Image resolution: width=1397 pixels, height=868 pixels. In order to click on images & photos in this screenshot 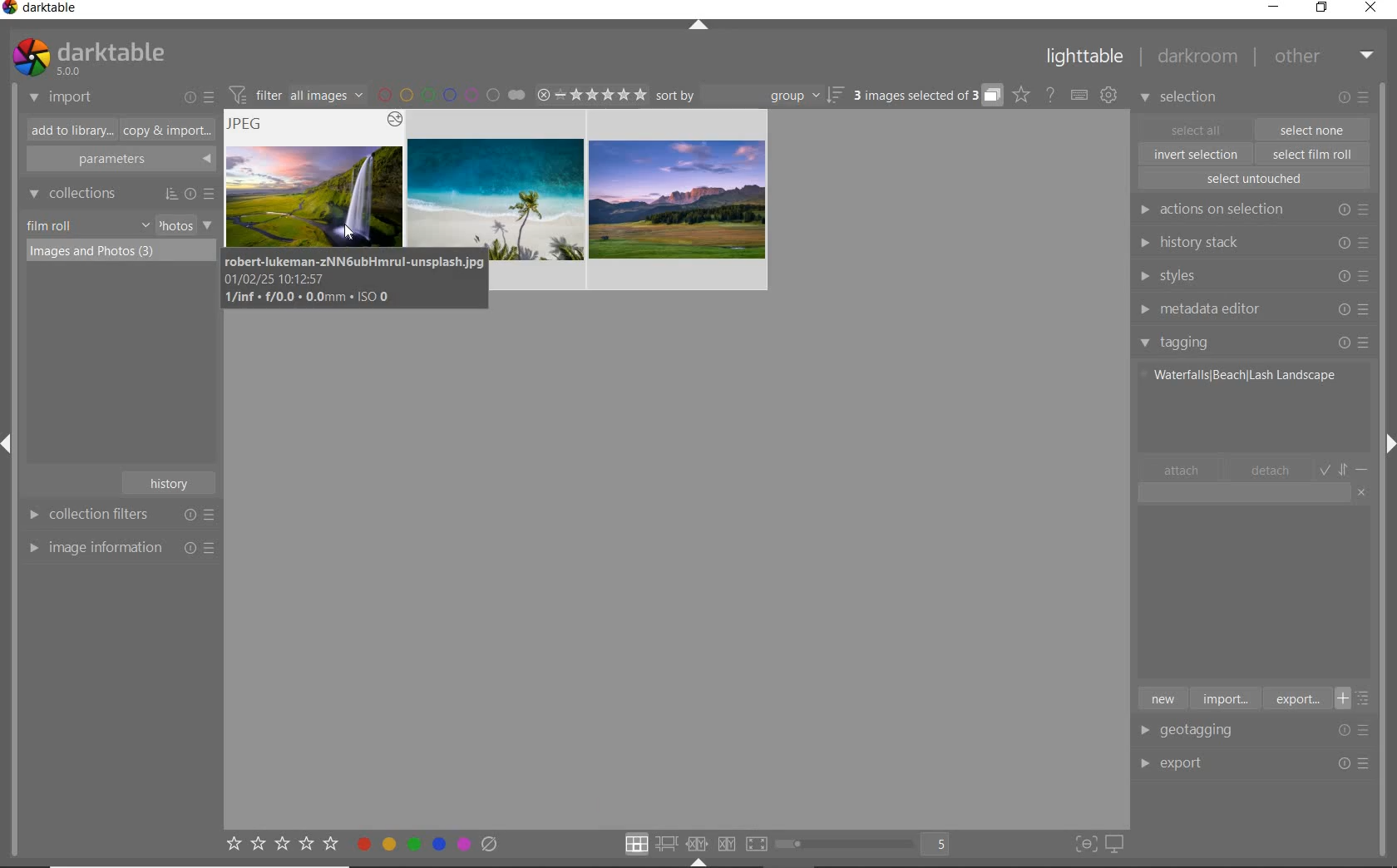, I will do `click(123, 250)`.